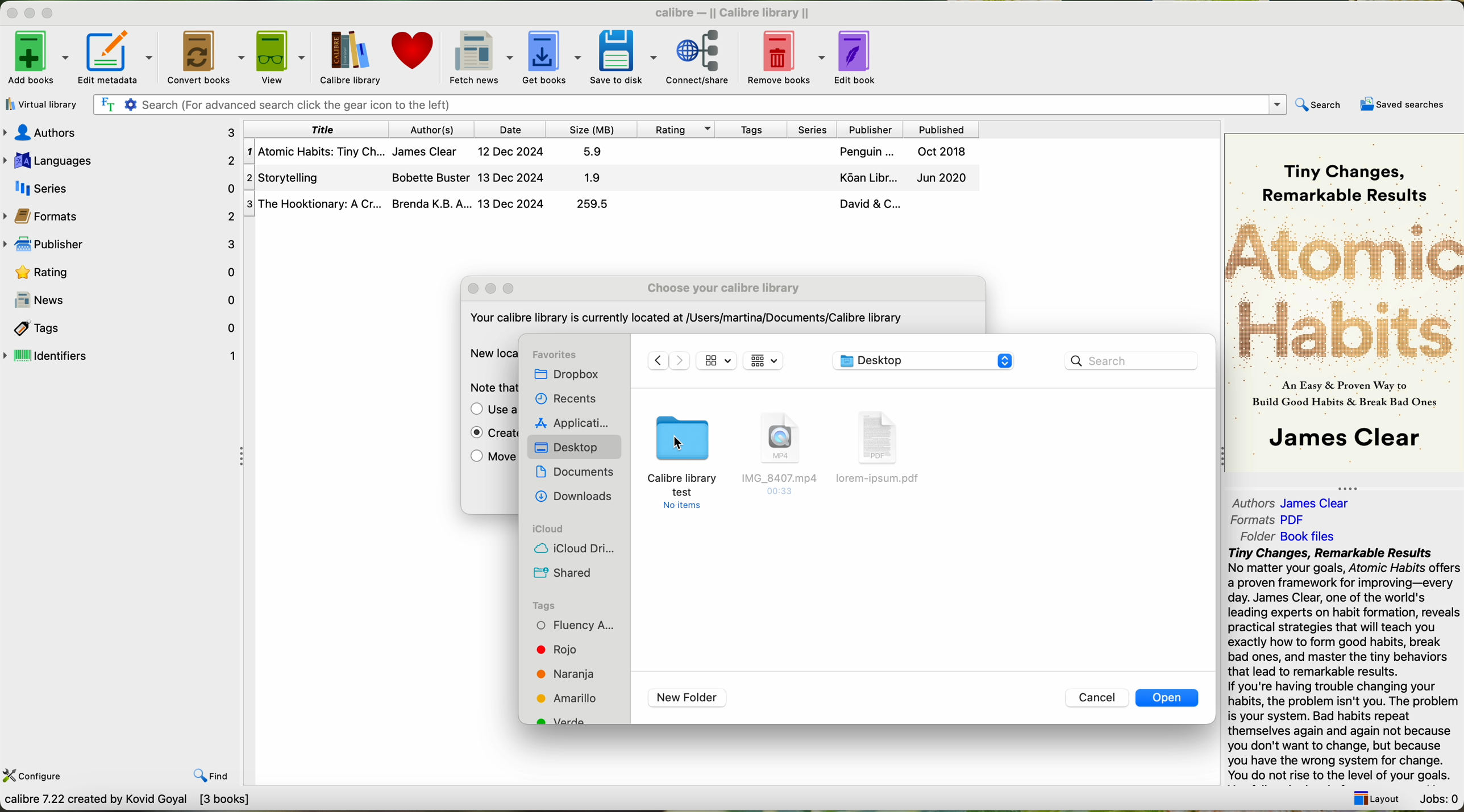 The height and width of the screenshot is (812, 1464). Describe the element at coordinates (678, 442) in the screenshot. I see `cursor` at that location.